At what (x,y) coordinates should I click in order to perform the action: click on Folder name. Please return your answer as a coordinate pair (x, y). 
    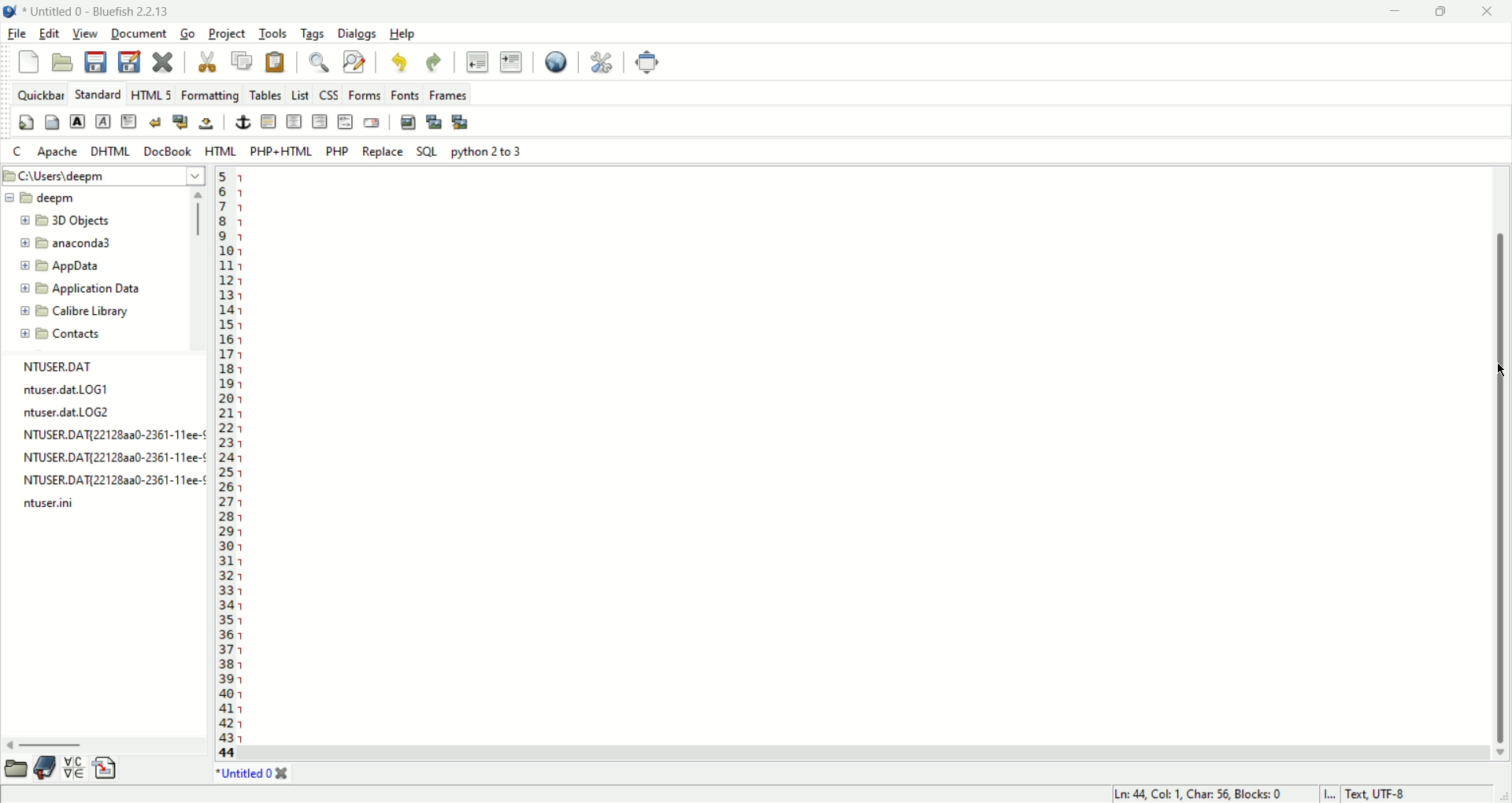
    Looking at the image, I should click on (69, 245).